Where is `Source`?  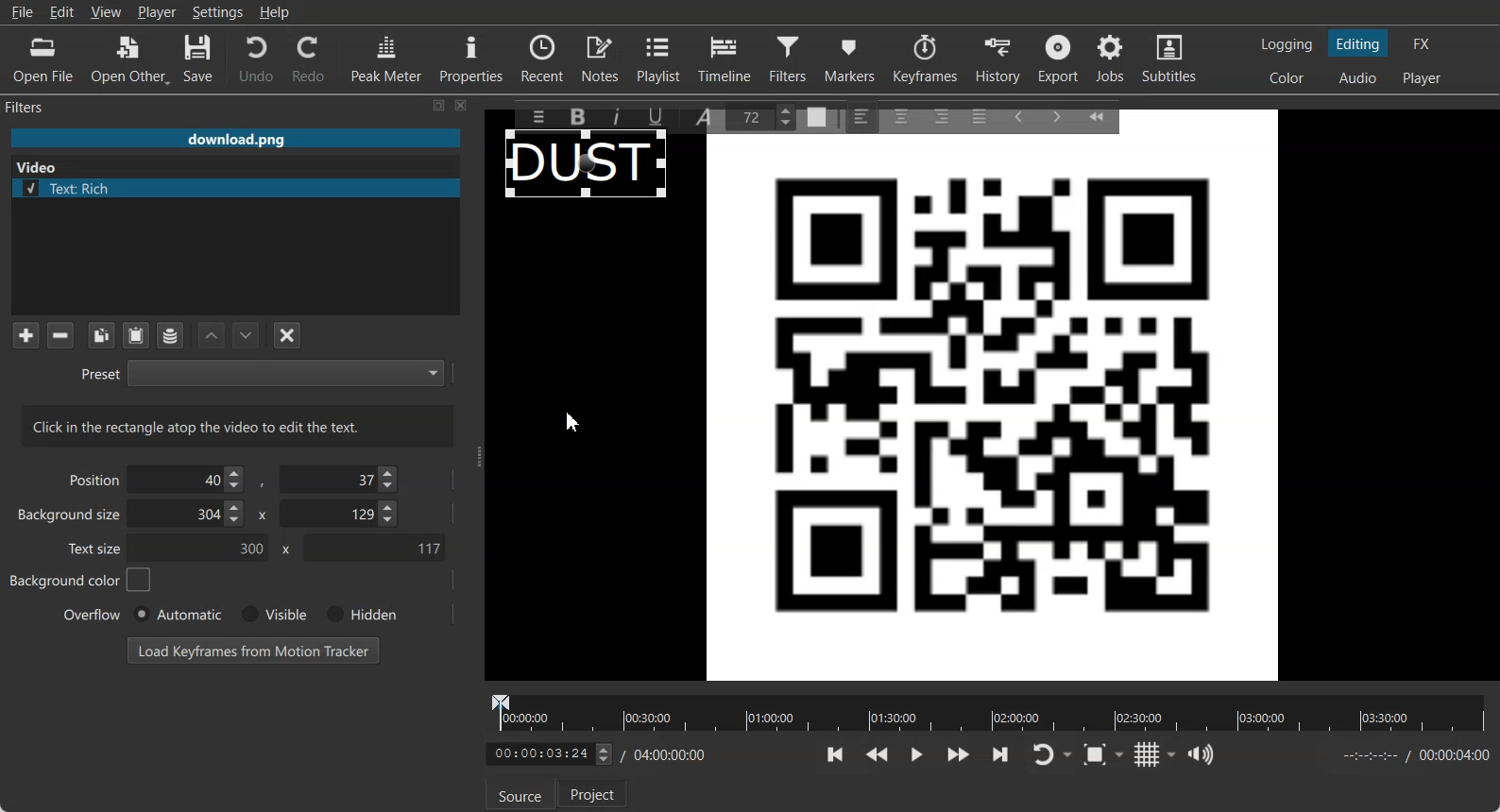
Source is located at coordinates (517, 798).